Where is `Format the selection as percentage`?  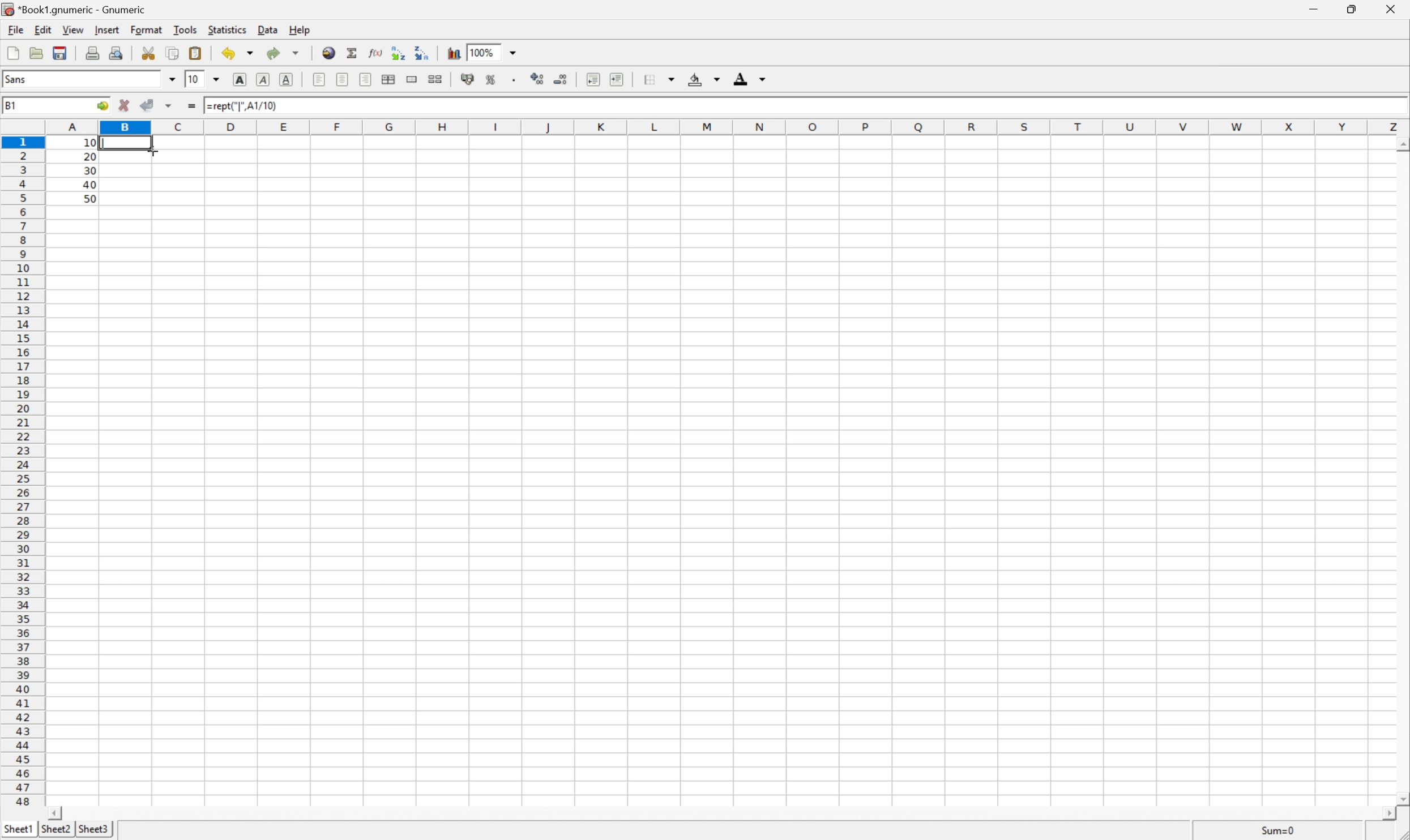
Format the selection as percentage is located at coordinates (488, 79).